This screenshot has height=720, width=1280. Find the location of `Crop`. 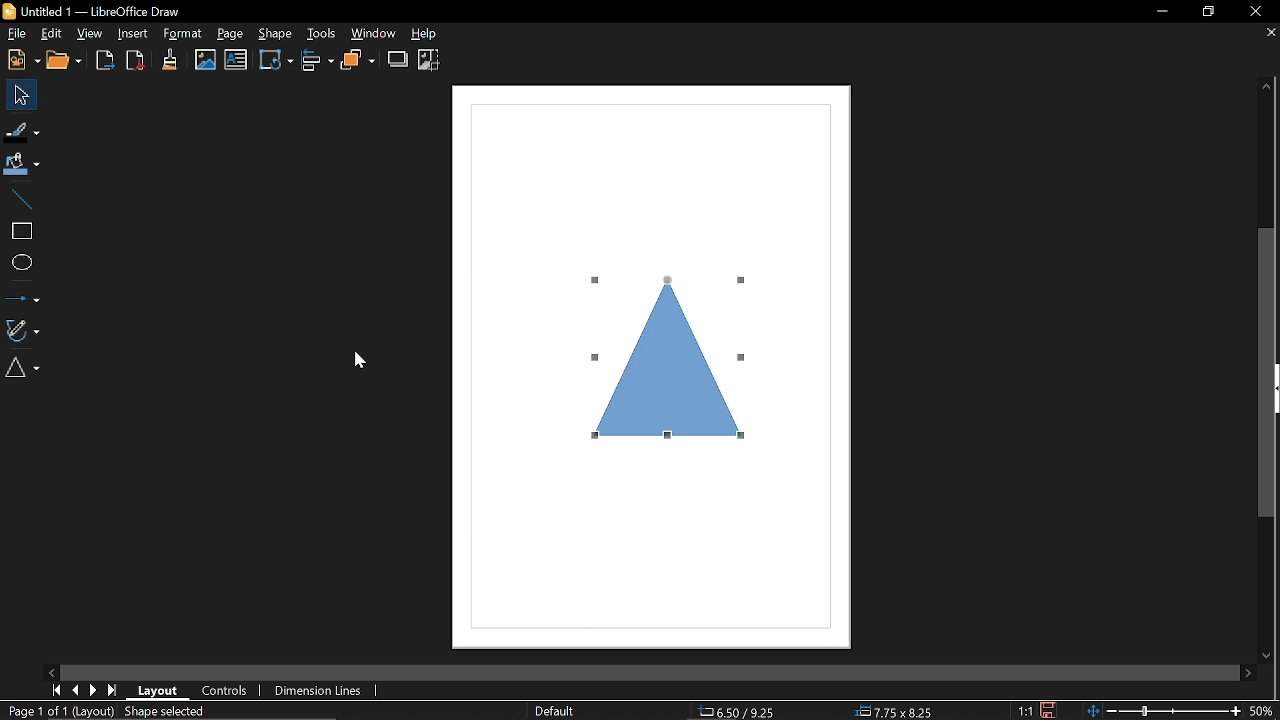

Crop is located at coordinates (429, 60).